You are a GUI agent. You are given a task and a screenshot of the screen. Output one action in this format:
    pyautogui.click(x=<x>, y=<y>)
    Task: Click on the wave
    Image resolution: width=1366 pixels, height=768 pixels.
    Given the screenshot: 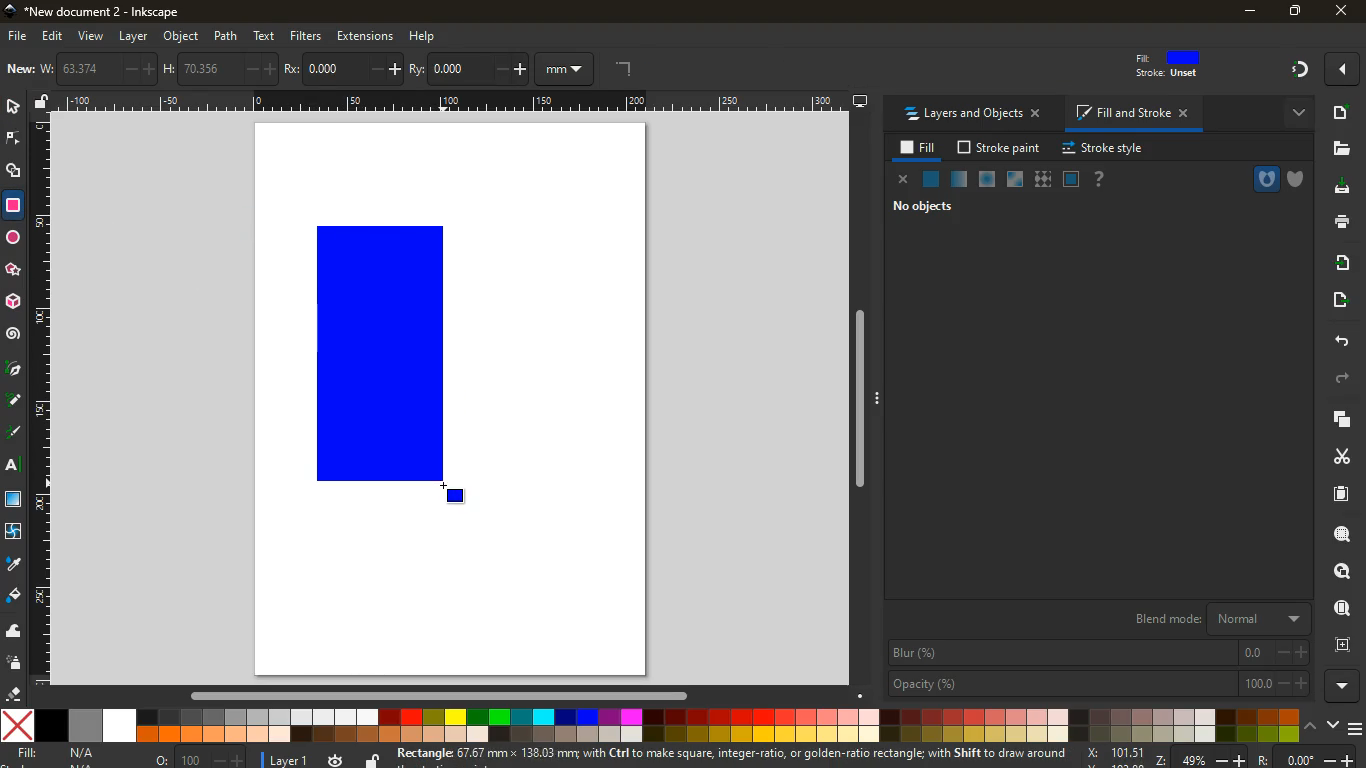 What is the action you would take?
    pyautogui.click(x=14, y=631)
    